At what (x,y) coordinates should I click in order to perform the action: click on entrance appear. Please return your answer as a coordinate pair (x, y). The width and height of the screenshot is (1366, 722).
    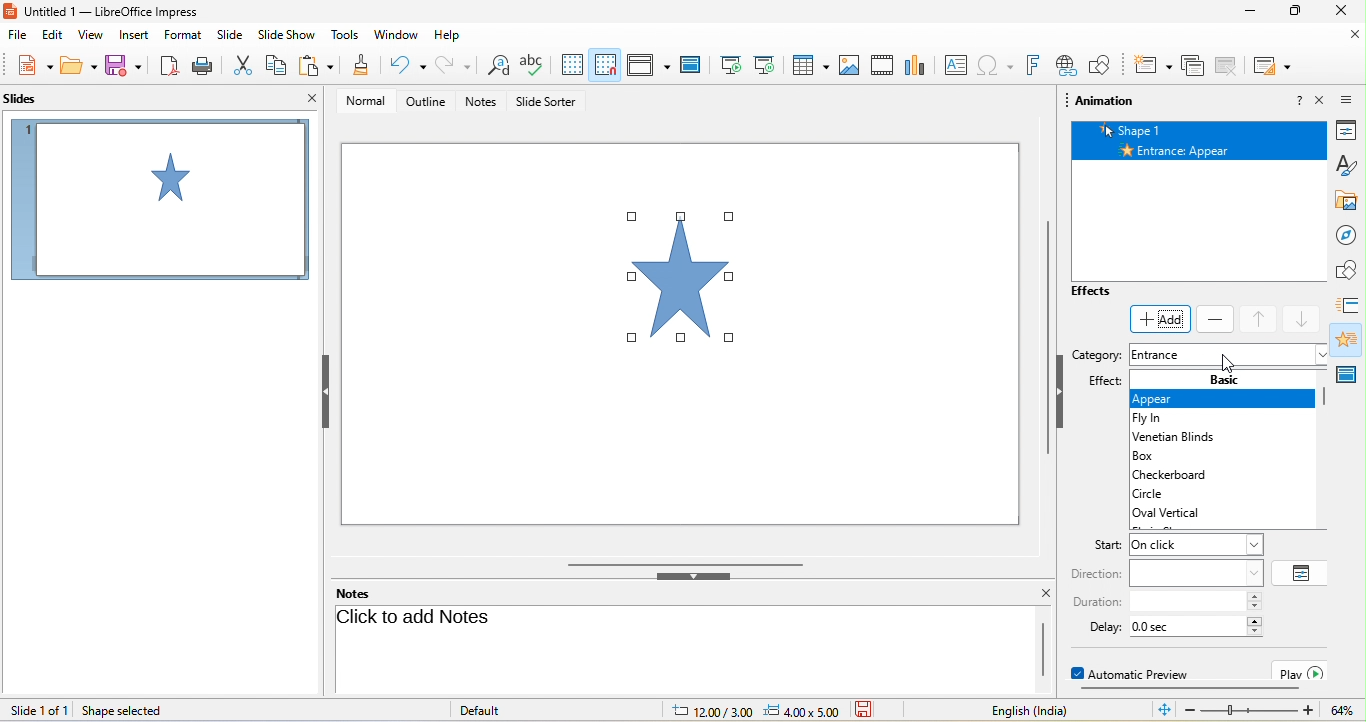
    Looking at the image, I should click on (1202, 150).